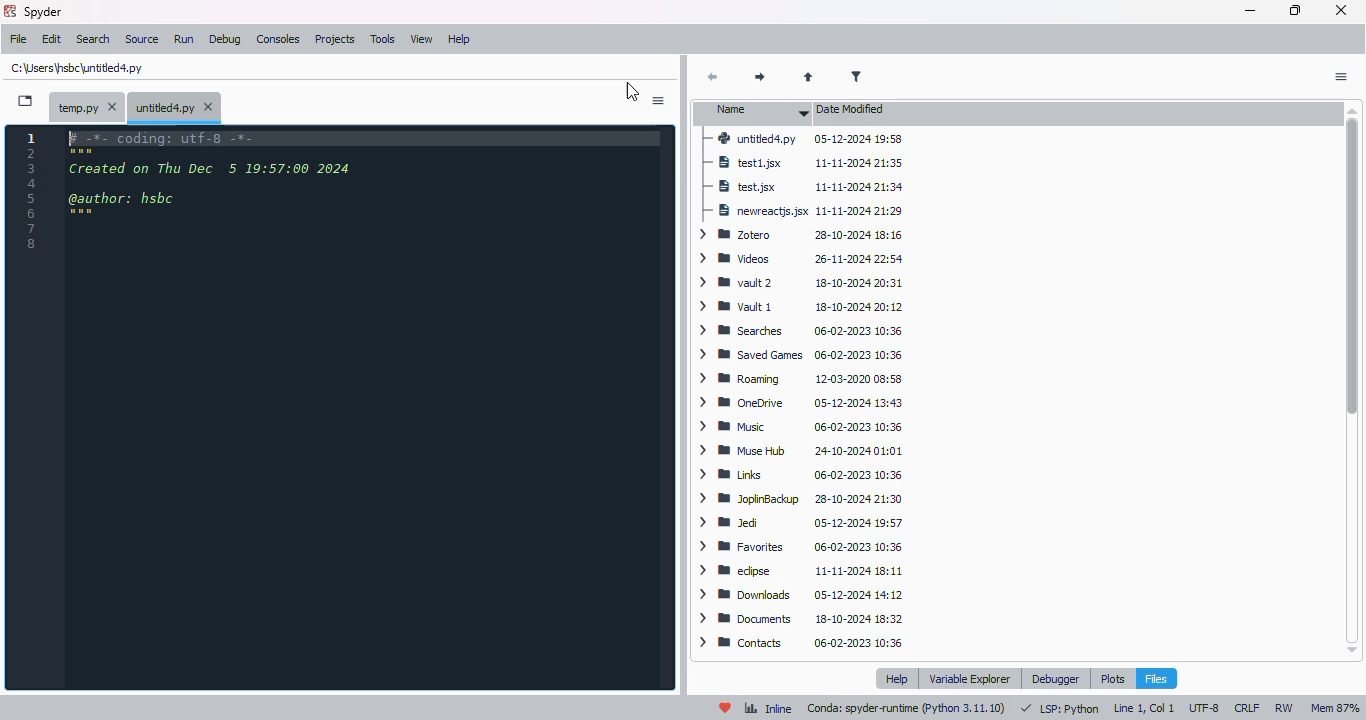 This screenshot has width=1366, height=720. I want to click on Links, so click(803, 526).